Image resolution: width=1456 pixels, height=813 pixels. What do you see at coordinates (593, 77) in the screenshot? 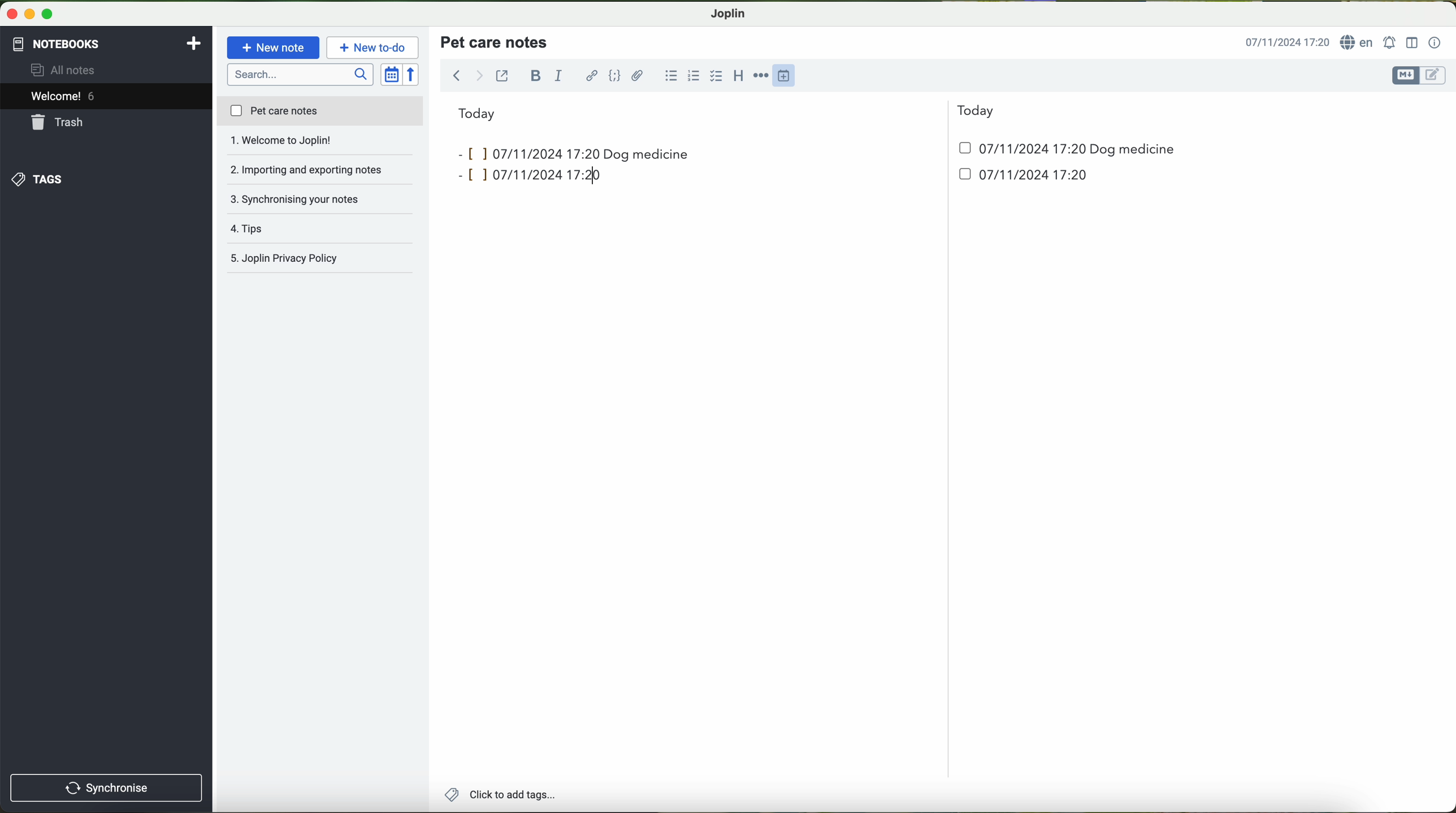
I see `hyperlink` at bounding box center [593, 77].